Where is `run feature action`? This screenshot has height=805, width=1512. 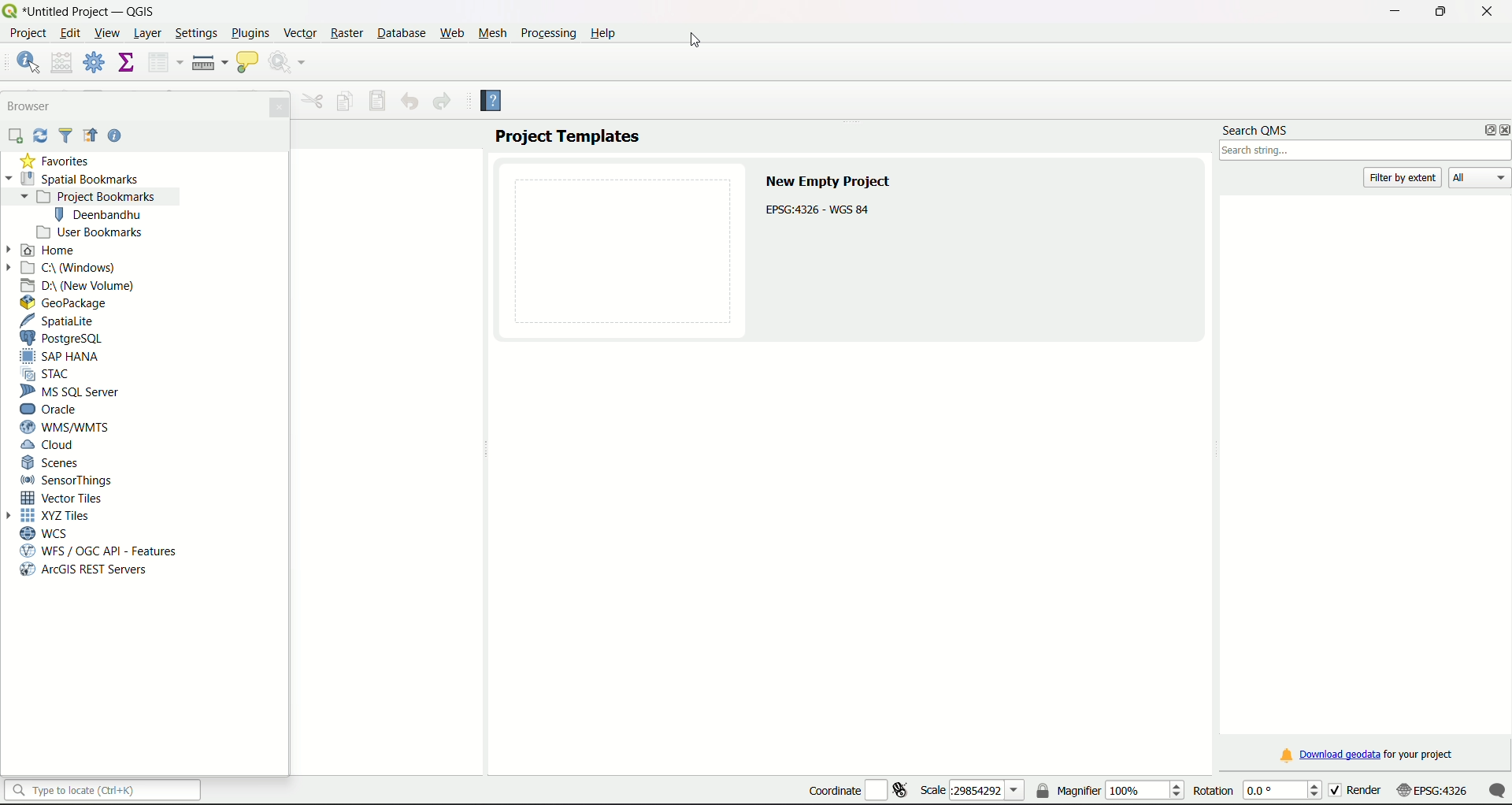 run feature action is located at coordinates (289, 62).